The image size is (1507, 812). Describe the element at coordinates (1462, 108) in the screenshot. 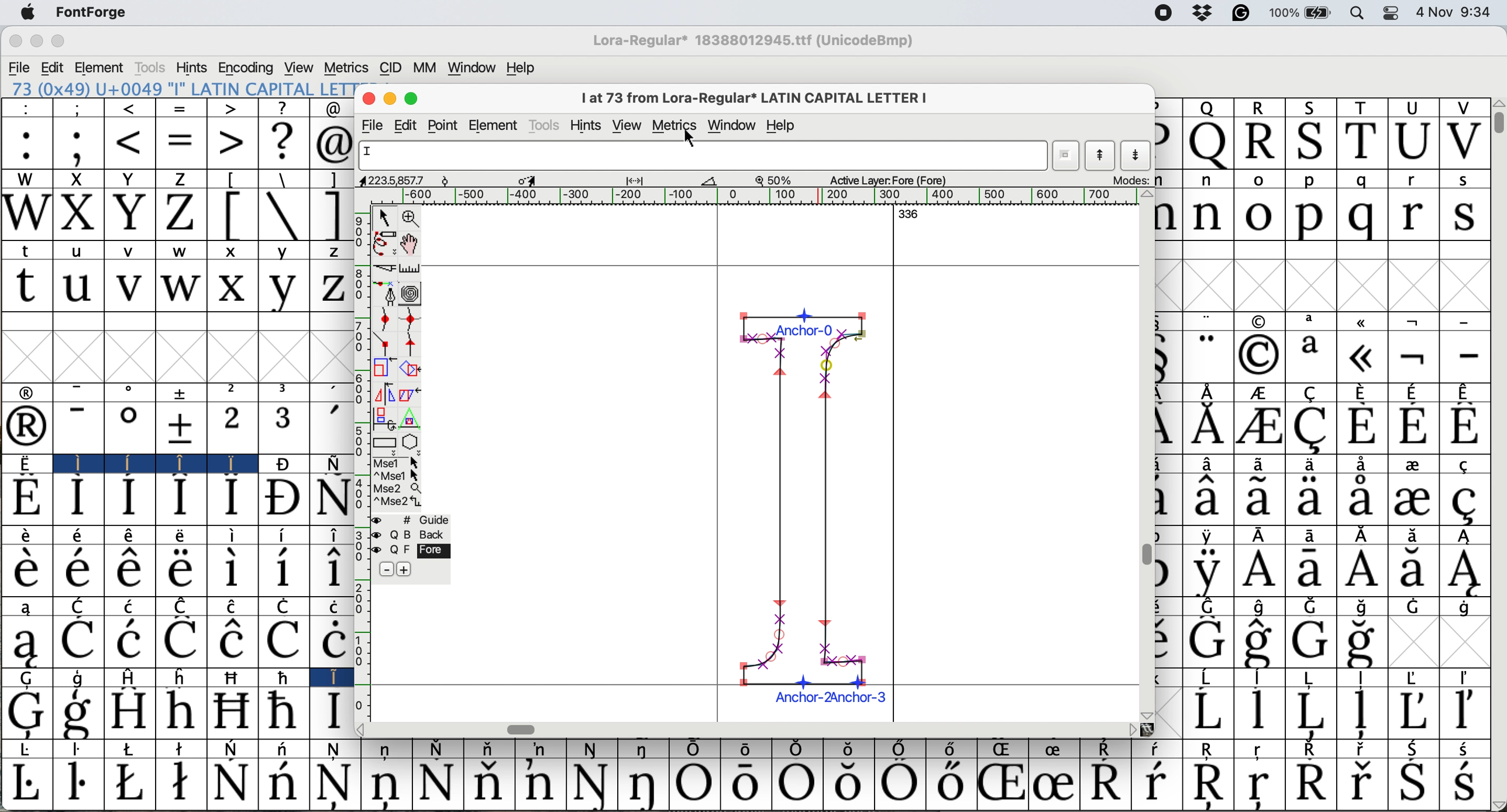

I see `V` at that location.